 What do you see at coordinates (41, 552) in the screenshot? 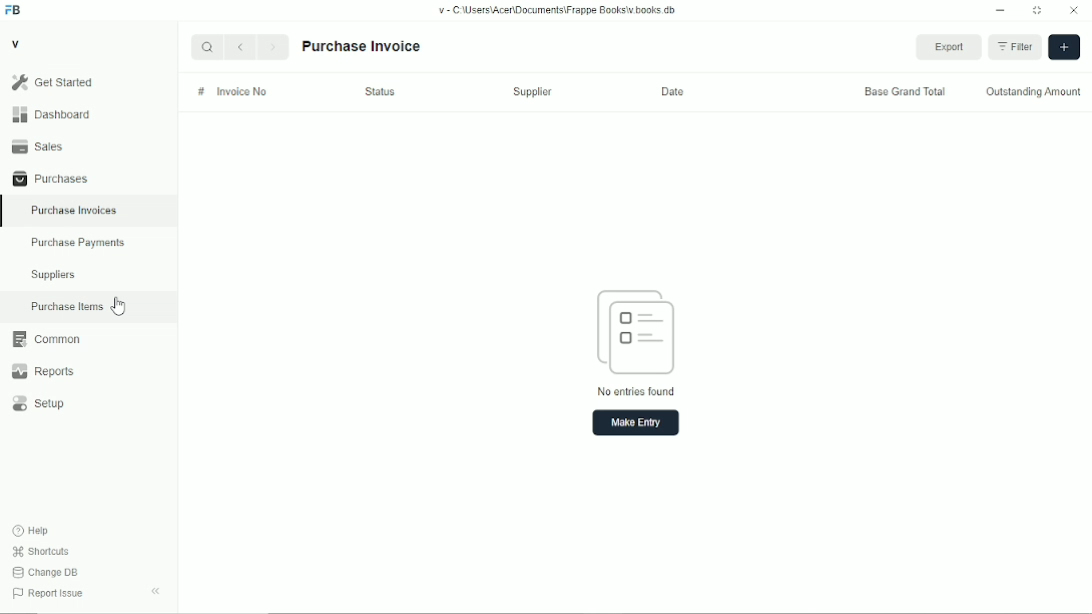
I see `shortcuts` at bounding box center [41, 552].